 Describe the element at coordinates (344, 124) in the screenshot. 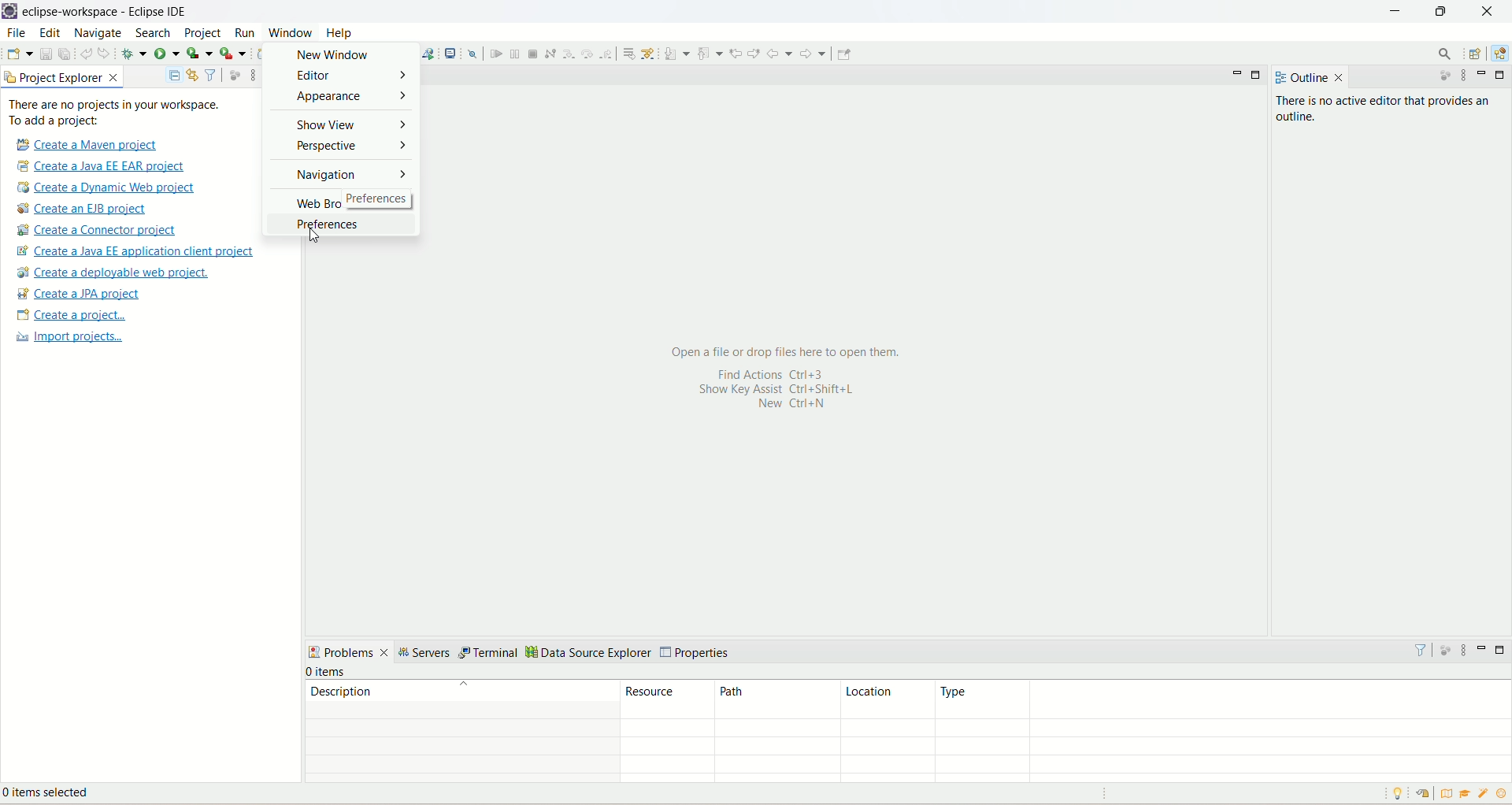

I see `show view` at that location.